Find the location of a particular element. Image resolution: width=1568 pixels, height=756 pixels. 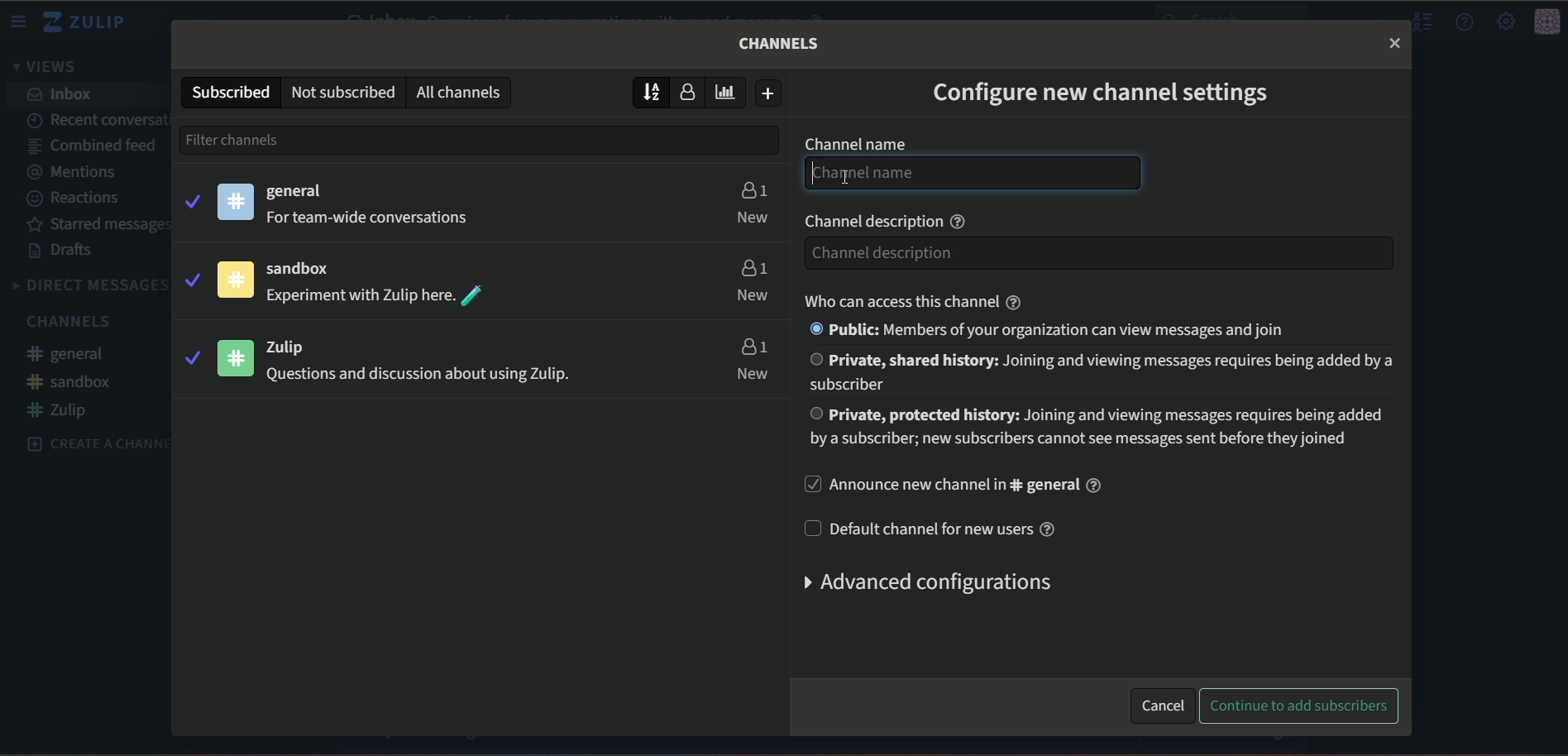

new is located at coordinates (753, 217).